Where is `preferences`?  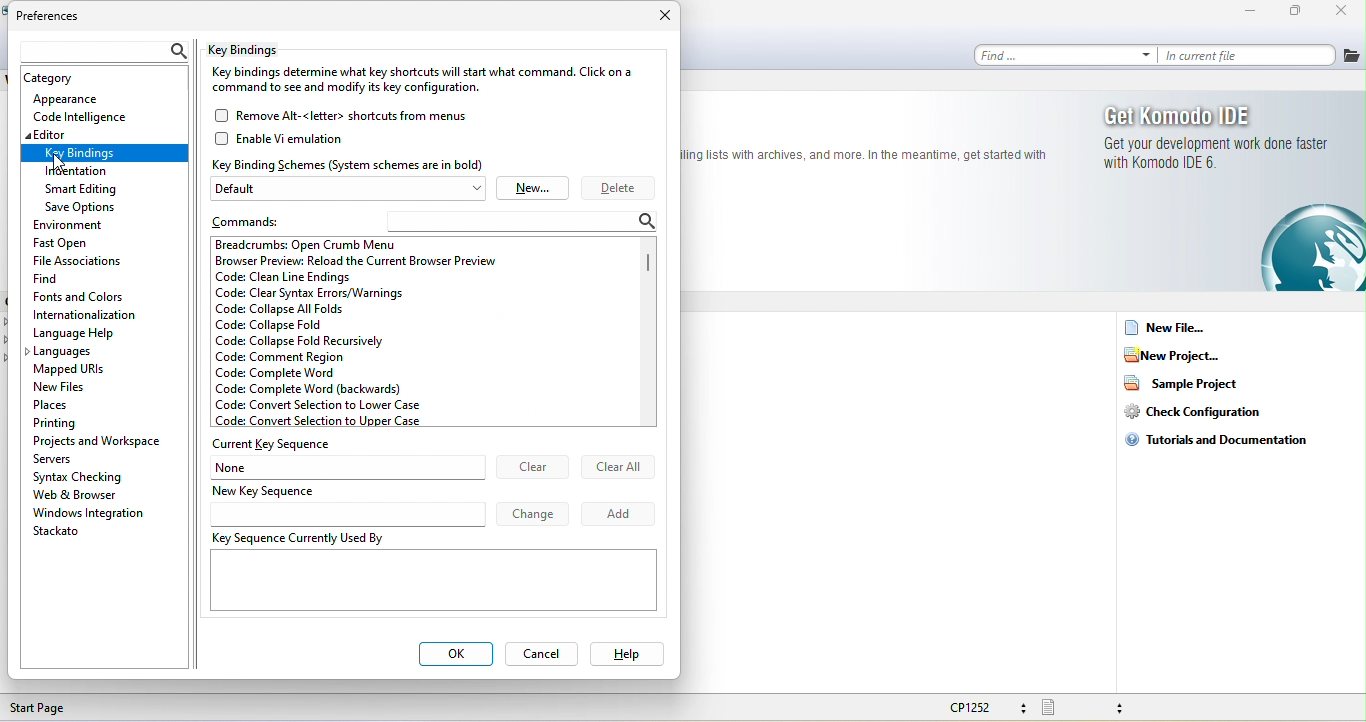 preferences is located at coordinates (51, 18).